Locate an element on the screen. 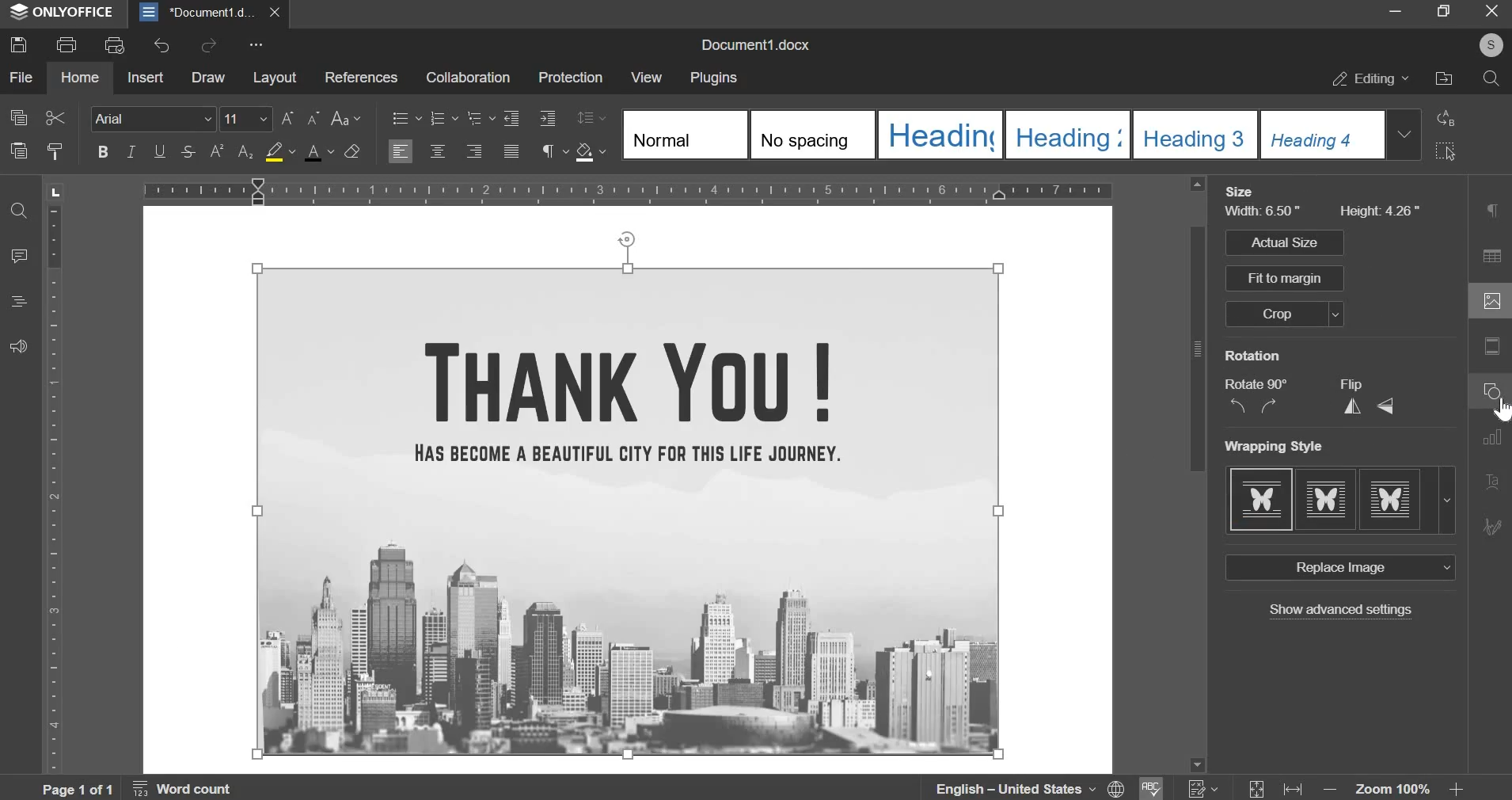 The image size is (1512, 800). line spacing is located at coordinates (593, 117).